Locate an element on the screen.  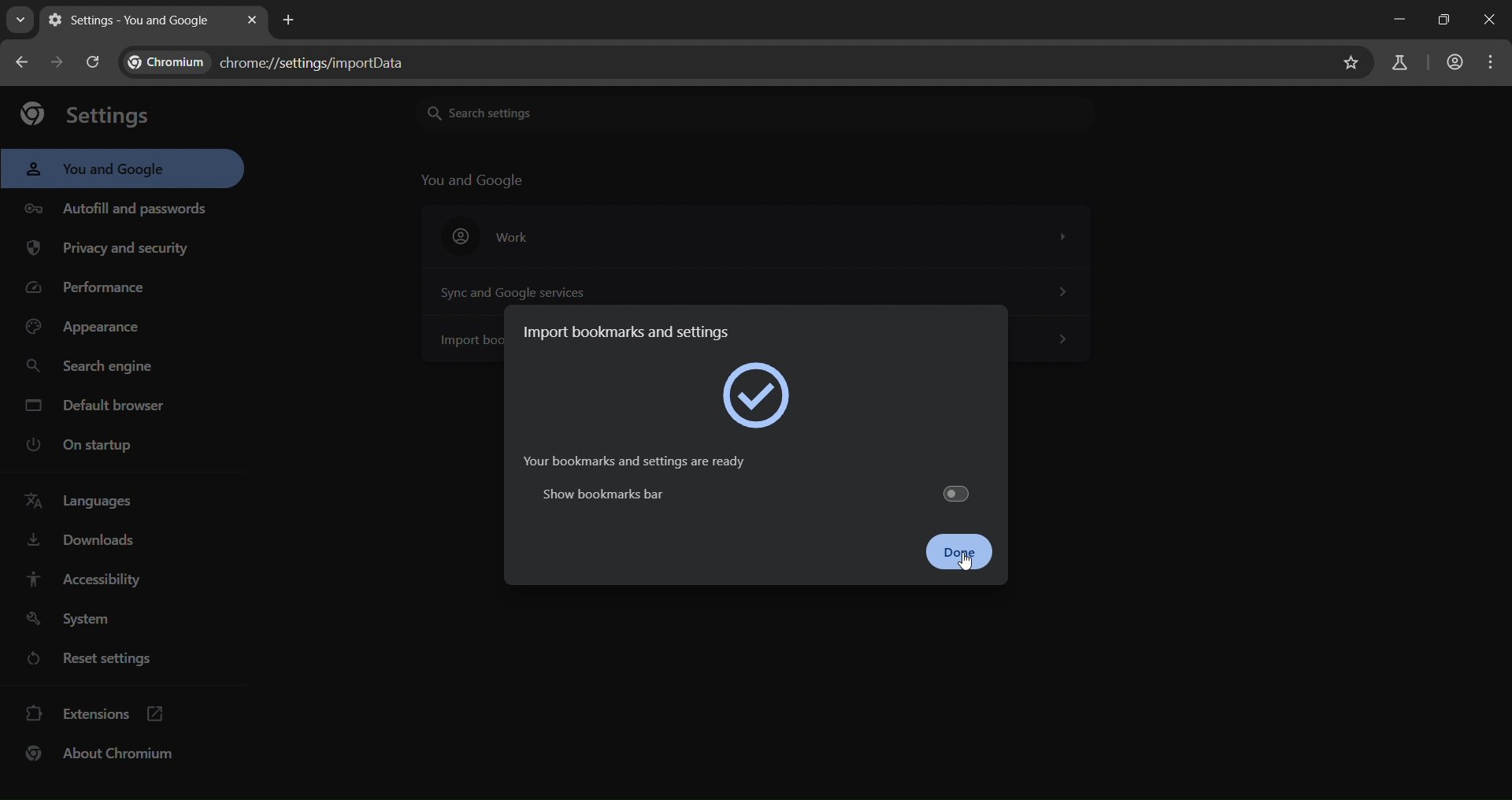
bookmark page is located at coordinates (1353, 61).